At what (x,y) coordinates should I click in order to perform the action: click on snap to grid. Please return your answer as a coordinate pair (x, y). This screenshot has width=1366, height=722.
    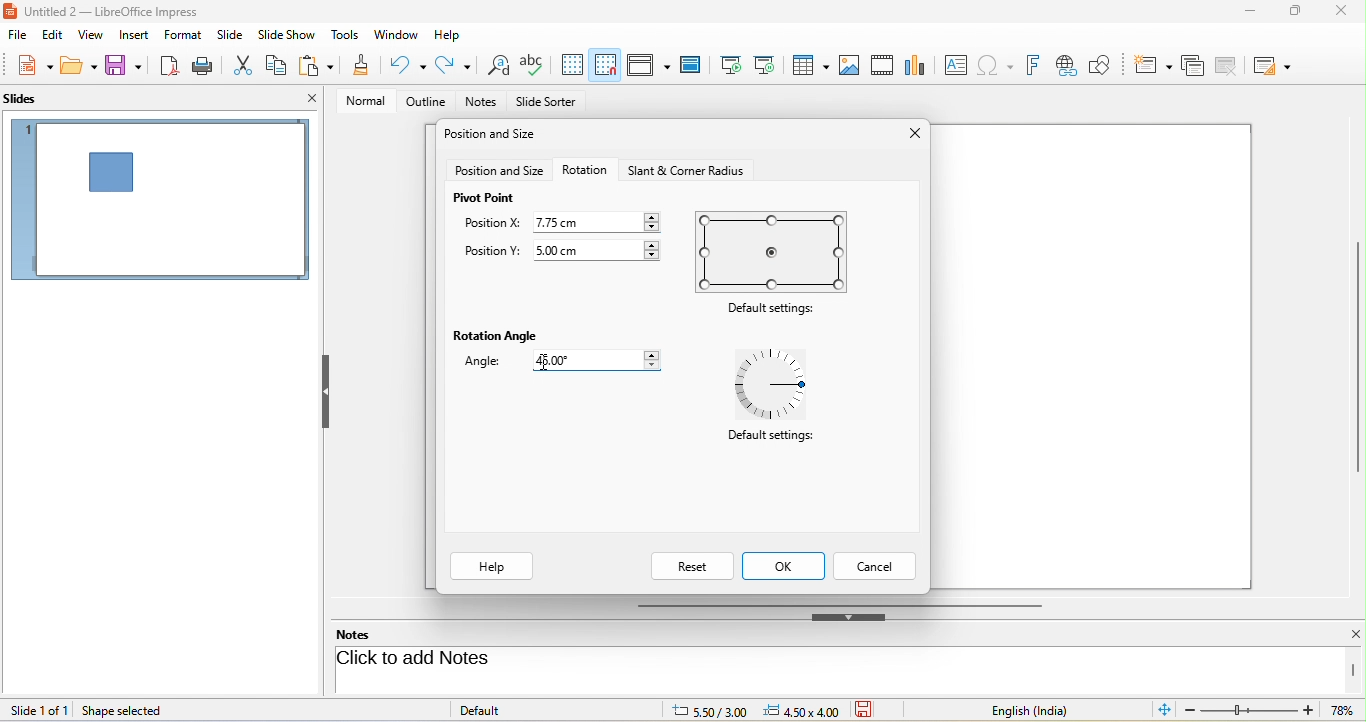
    Looking at the image, I should click on (605, 65).